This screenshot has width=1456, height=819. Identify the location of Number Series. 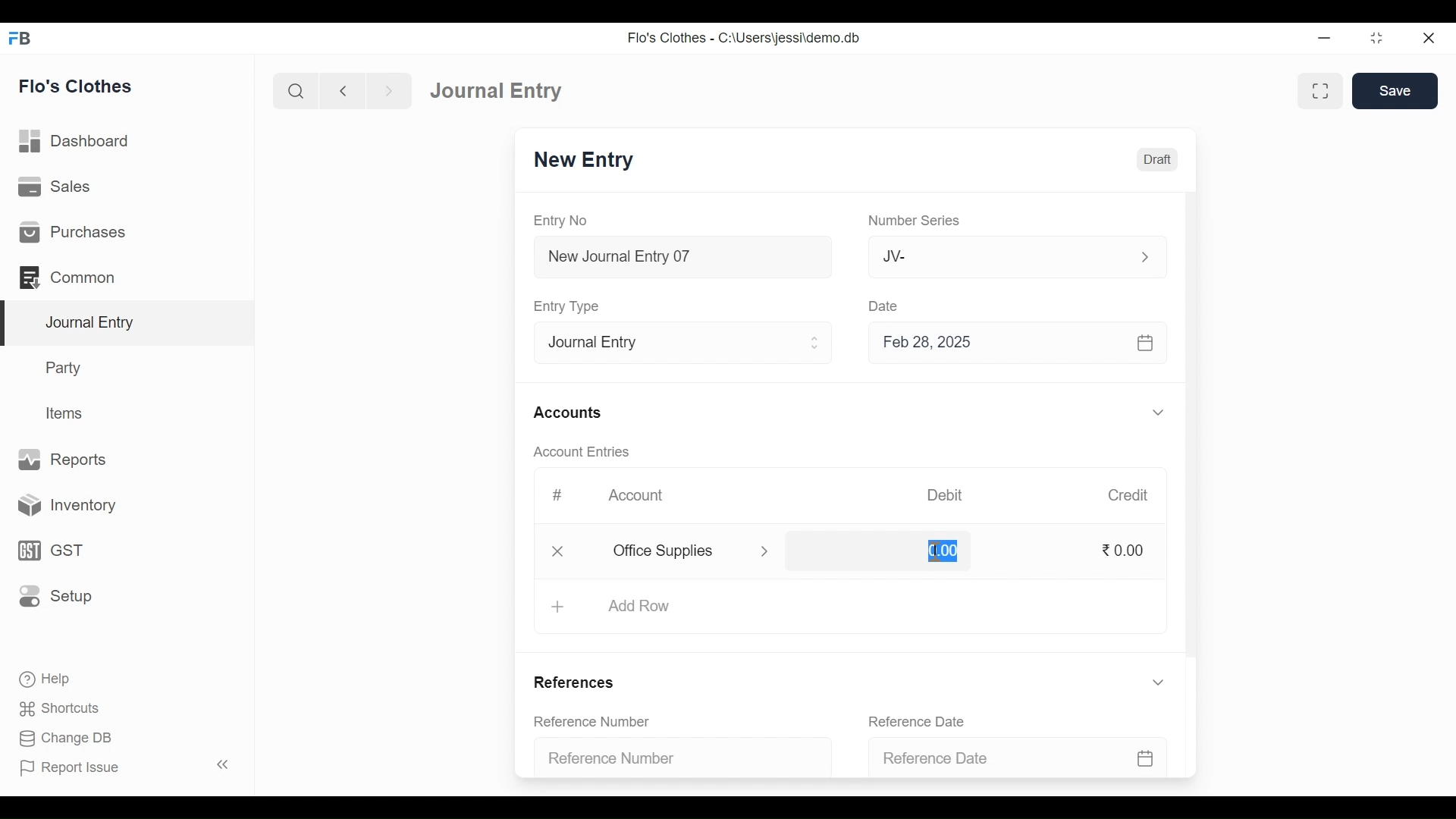
(915, 221).